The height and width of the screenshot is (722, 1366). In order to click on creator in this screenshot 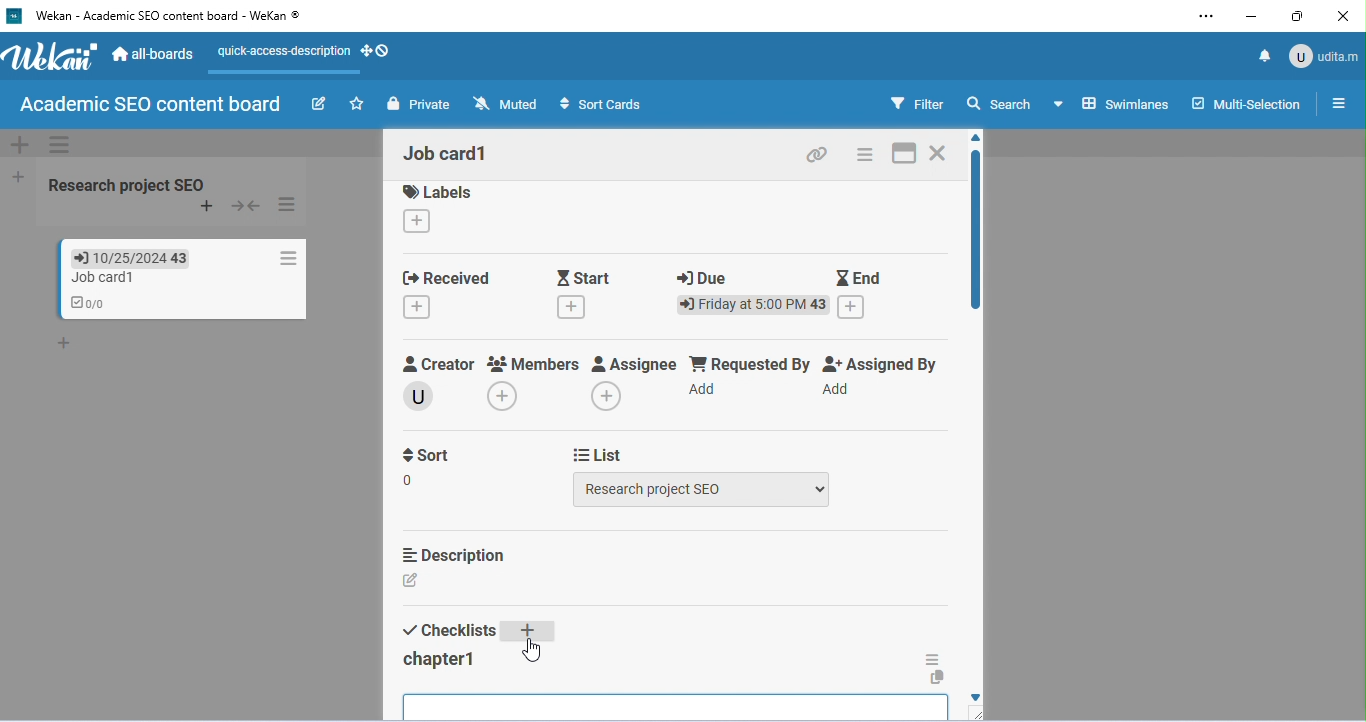, I will do `click(440, 363)`.